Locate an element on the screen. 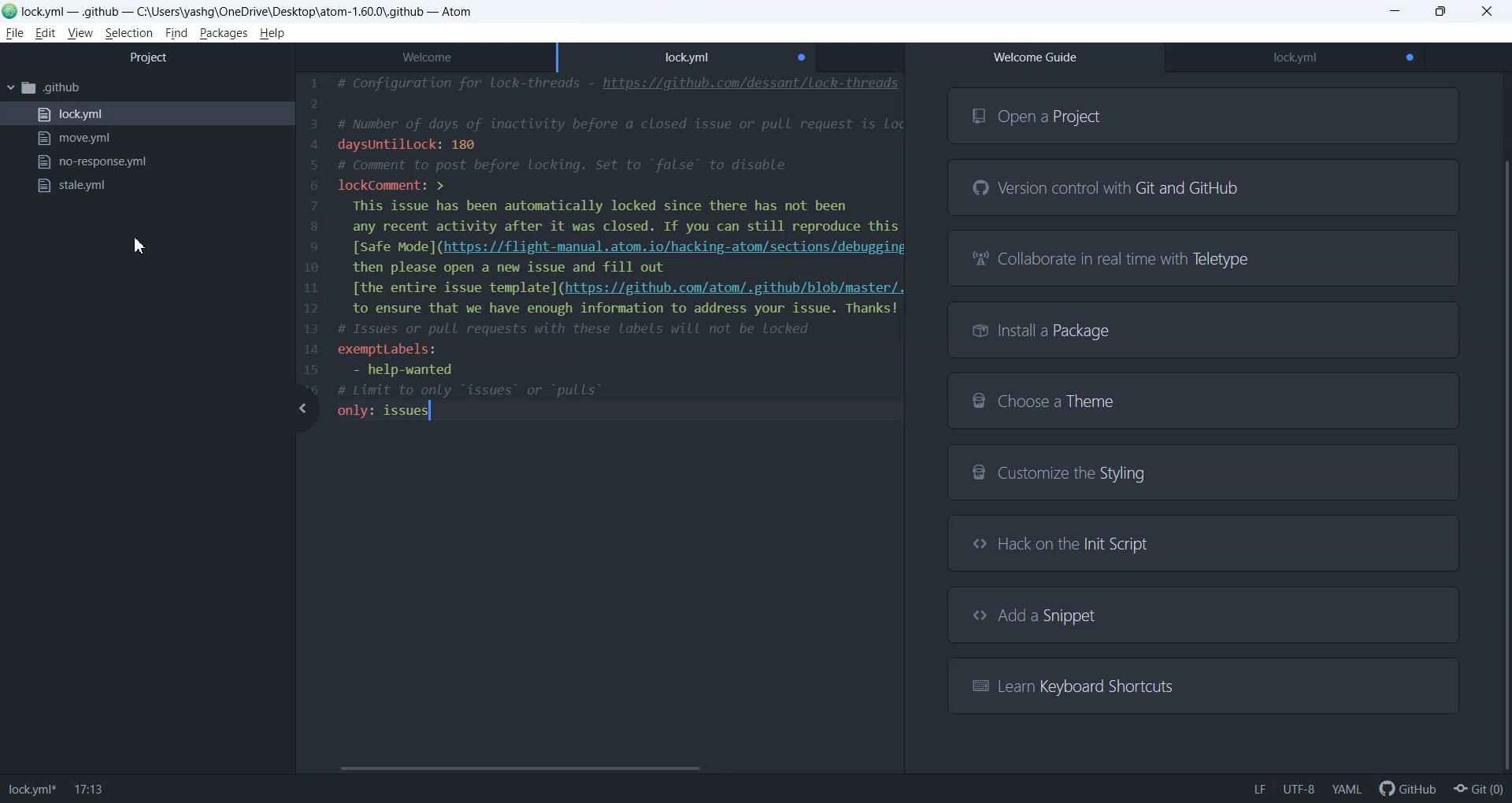 This screenshot has width=1512, height=803. Edit is located at coordinates (45, 34).